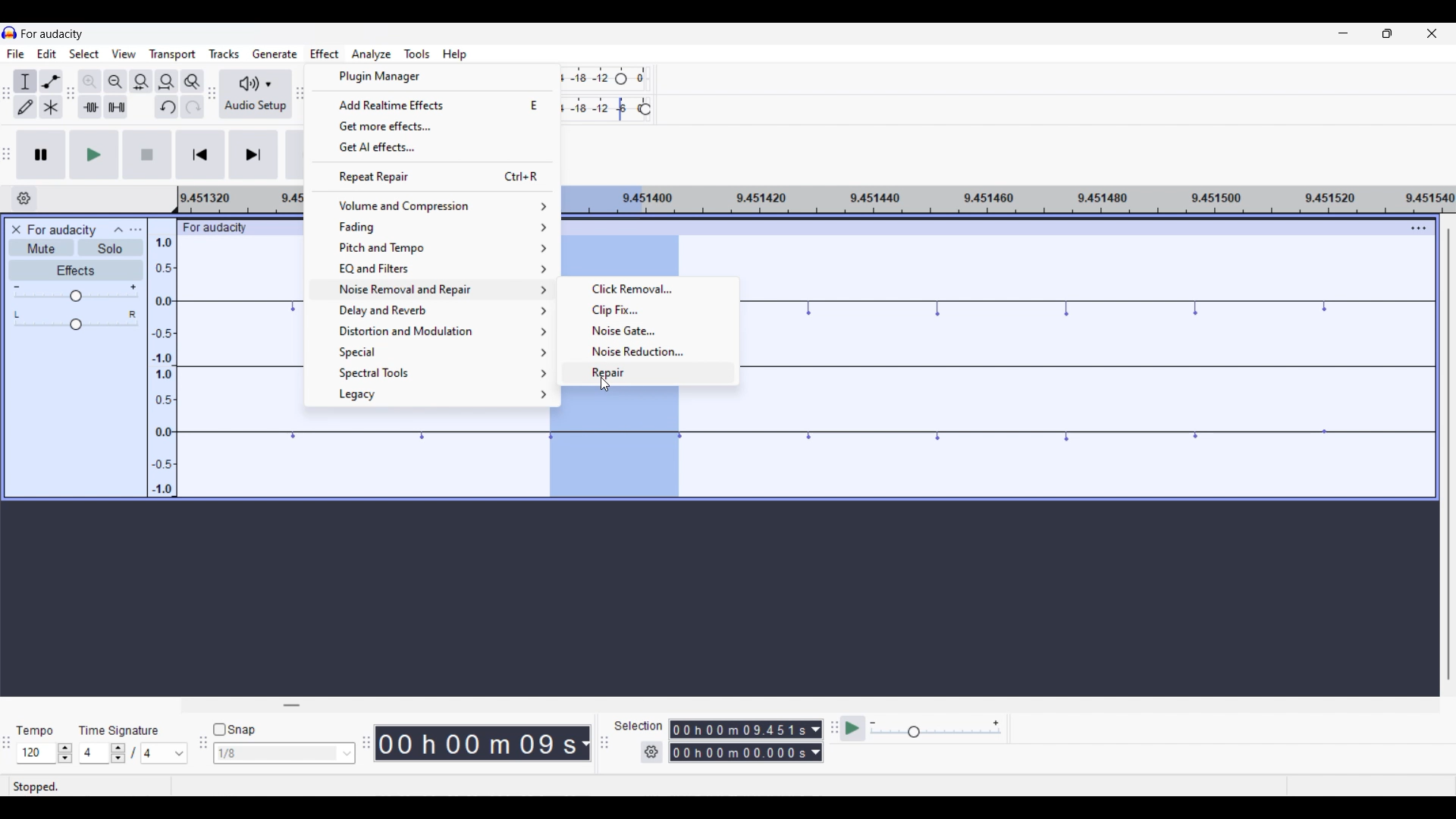 The width and height of the screenshot is (1456, 819). I want to click on Recoring level, so click(607, 79).